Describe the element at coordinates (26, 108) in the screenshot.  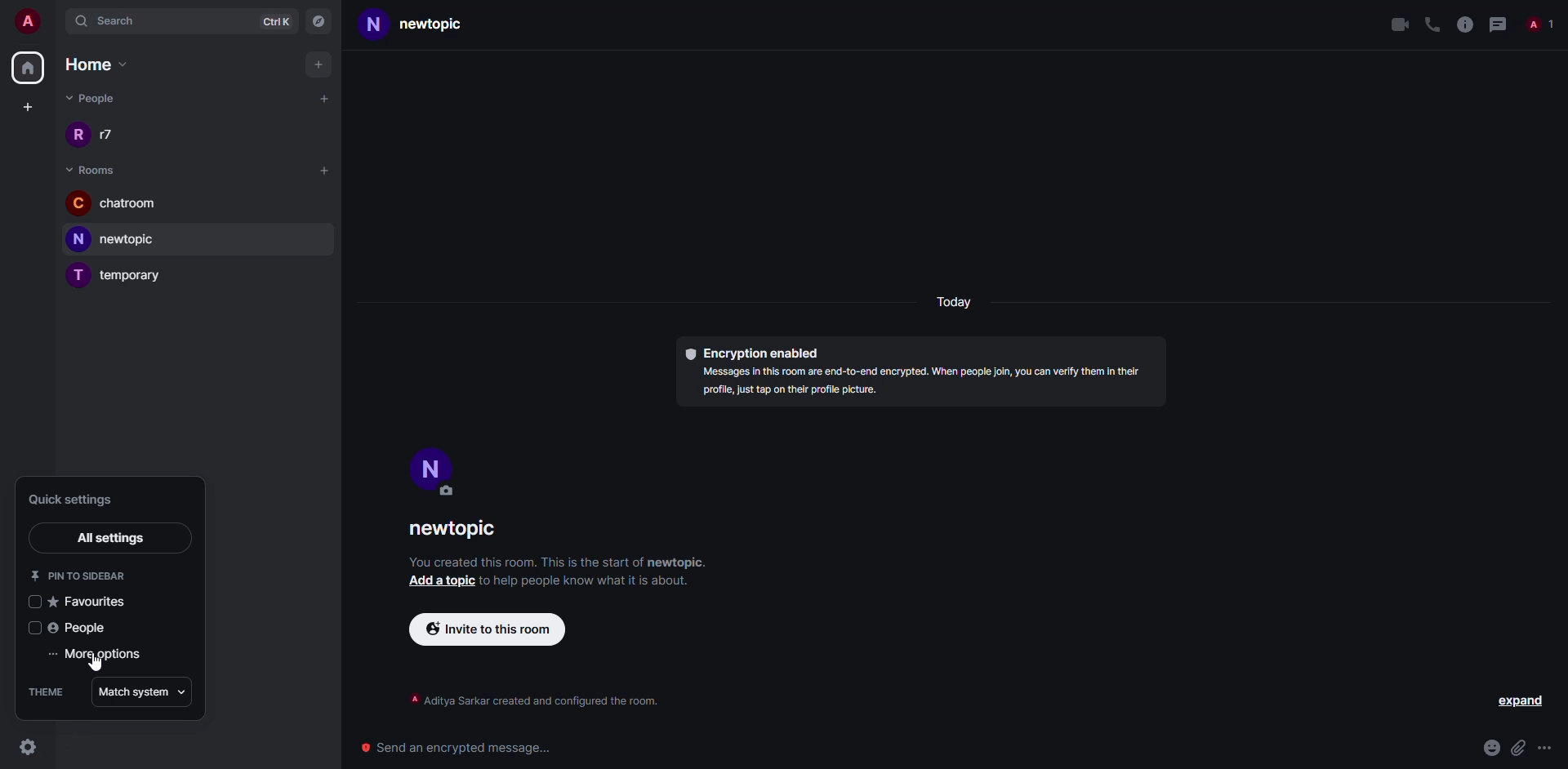
I see `create space` at that location.